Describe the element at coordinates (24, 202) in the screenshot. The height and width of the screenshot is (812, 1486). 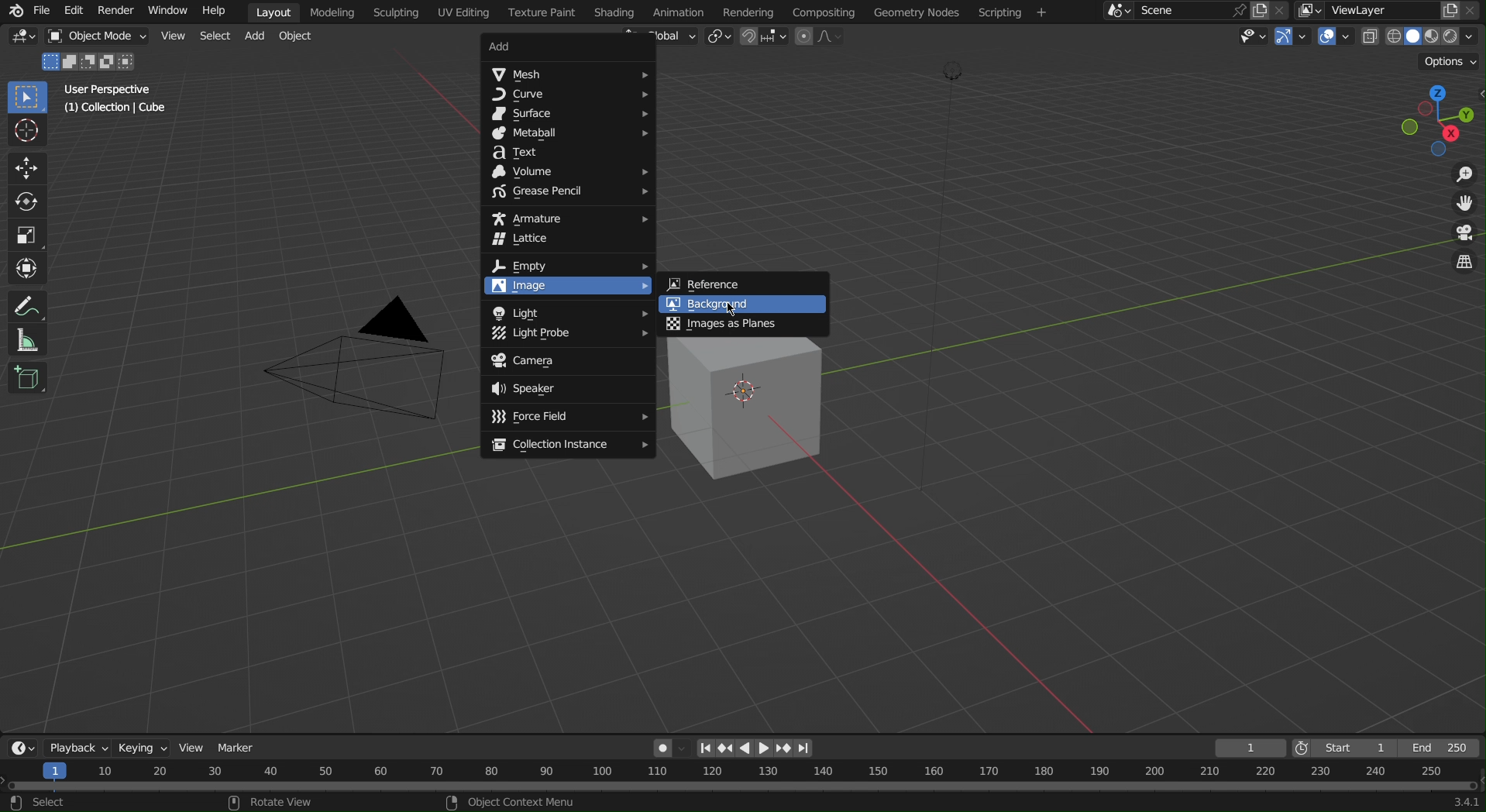
I see `Rotate` at that location.